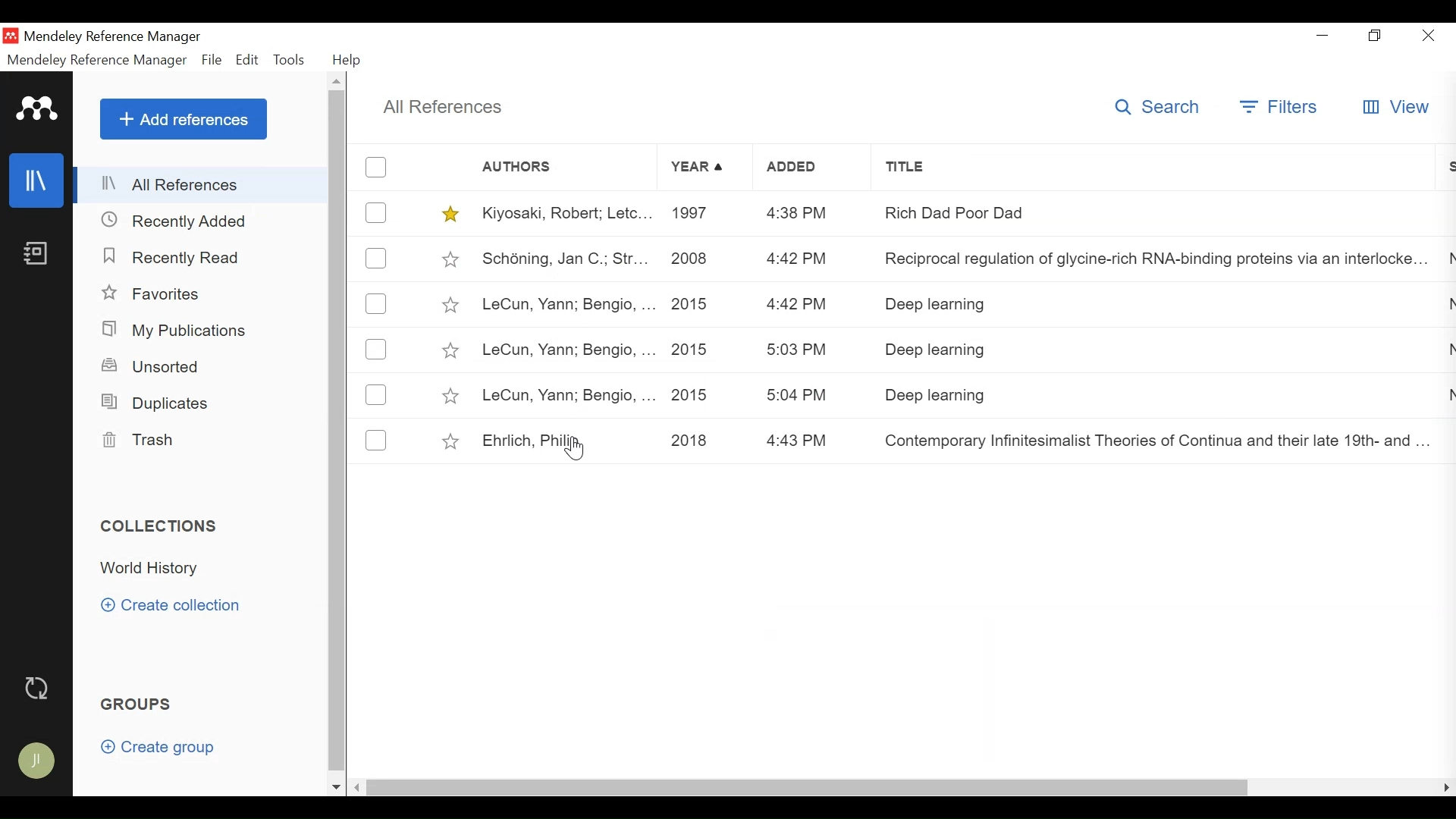 The width and height of the screenshot is (1456, 819). What do you see at coordinates (1375, 36) in the screenshot?
I see `Restore` at bounding box center [1375, 36].